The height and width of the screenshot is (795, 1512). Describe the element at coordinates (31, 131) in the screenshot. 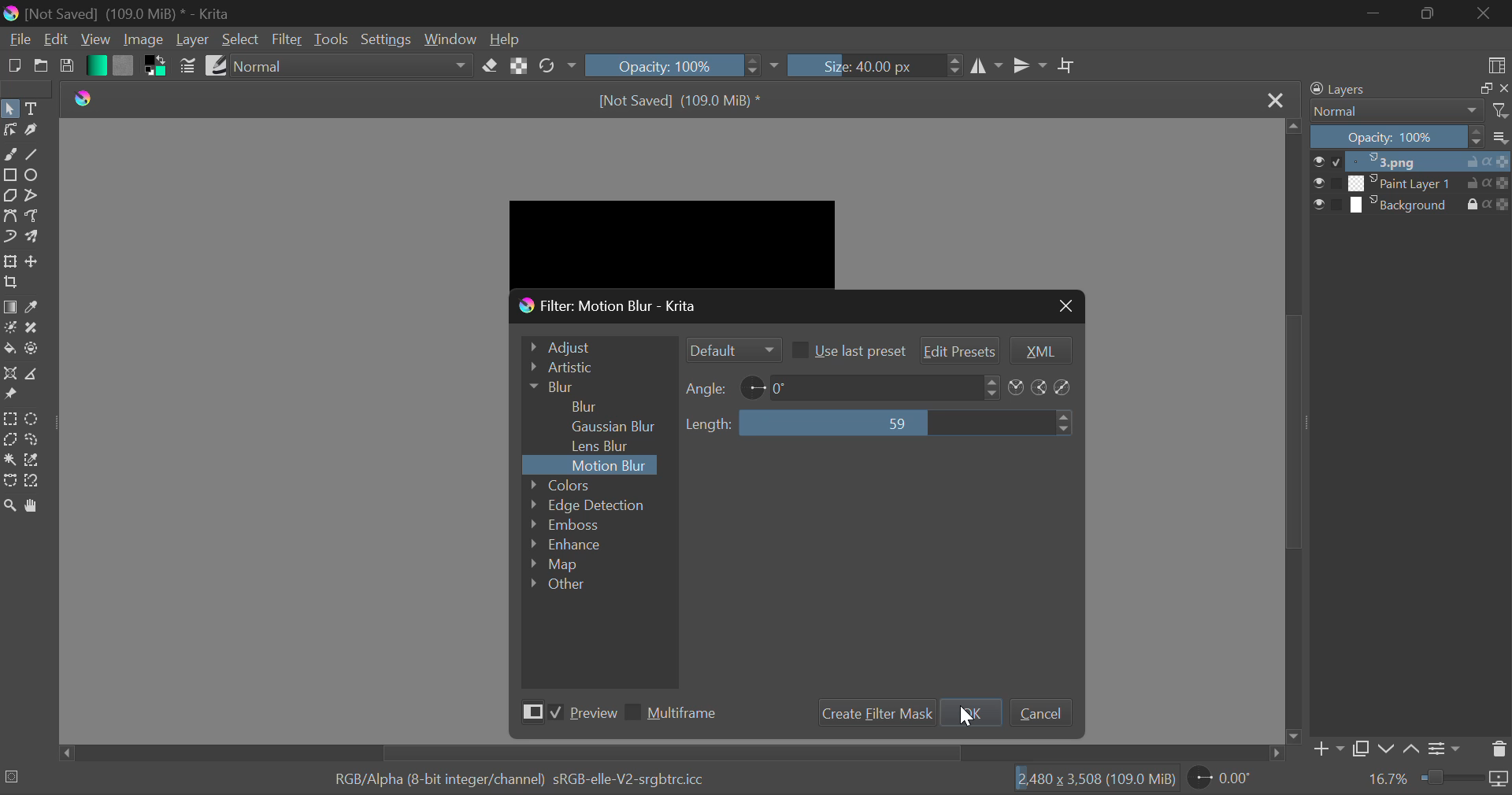

I see `Calligraphic Tool` at that location.